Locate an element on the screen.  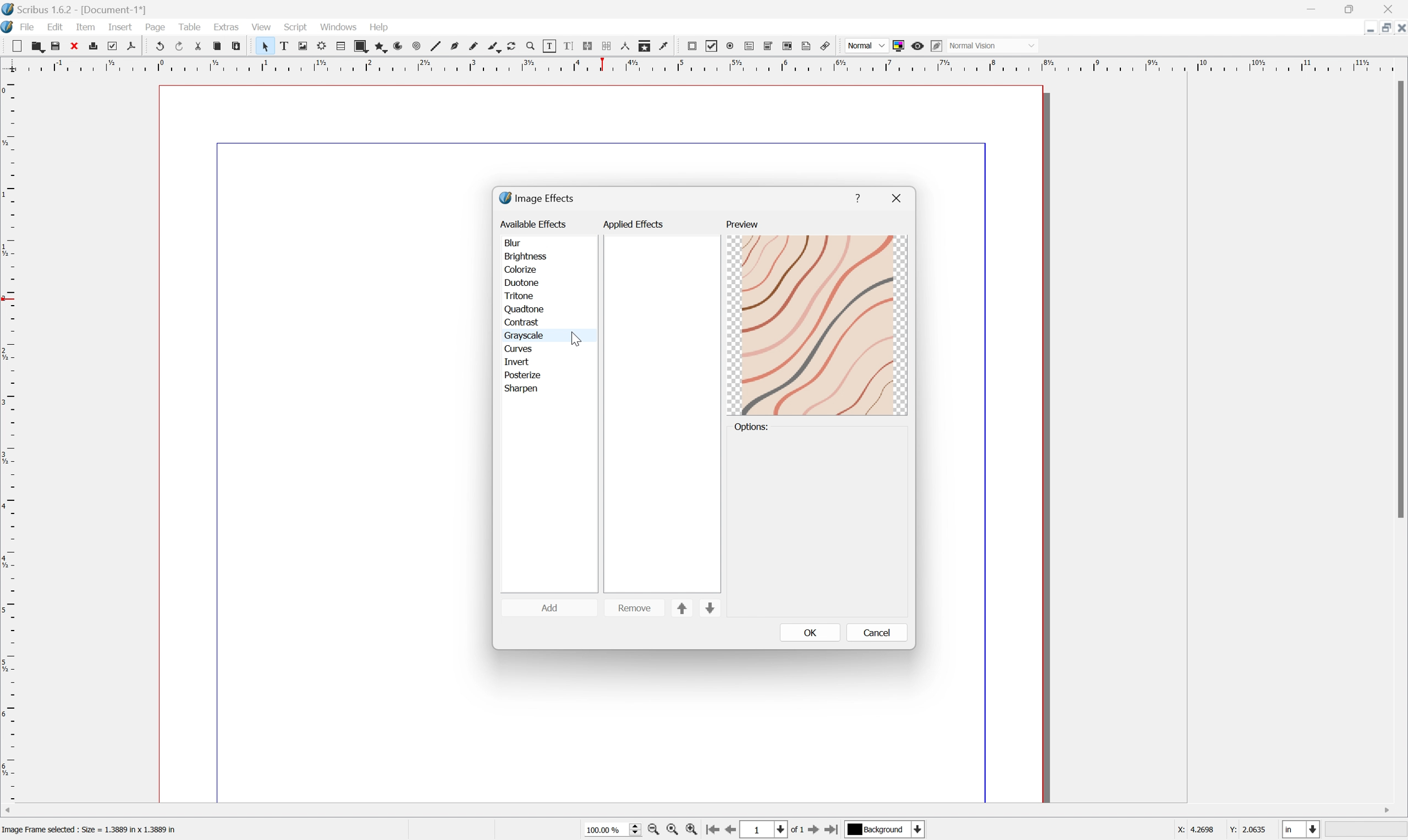
options: is located at coordinates (754, 427).